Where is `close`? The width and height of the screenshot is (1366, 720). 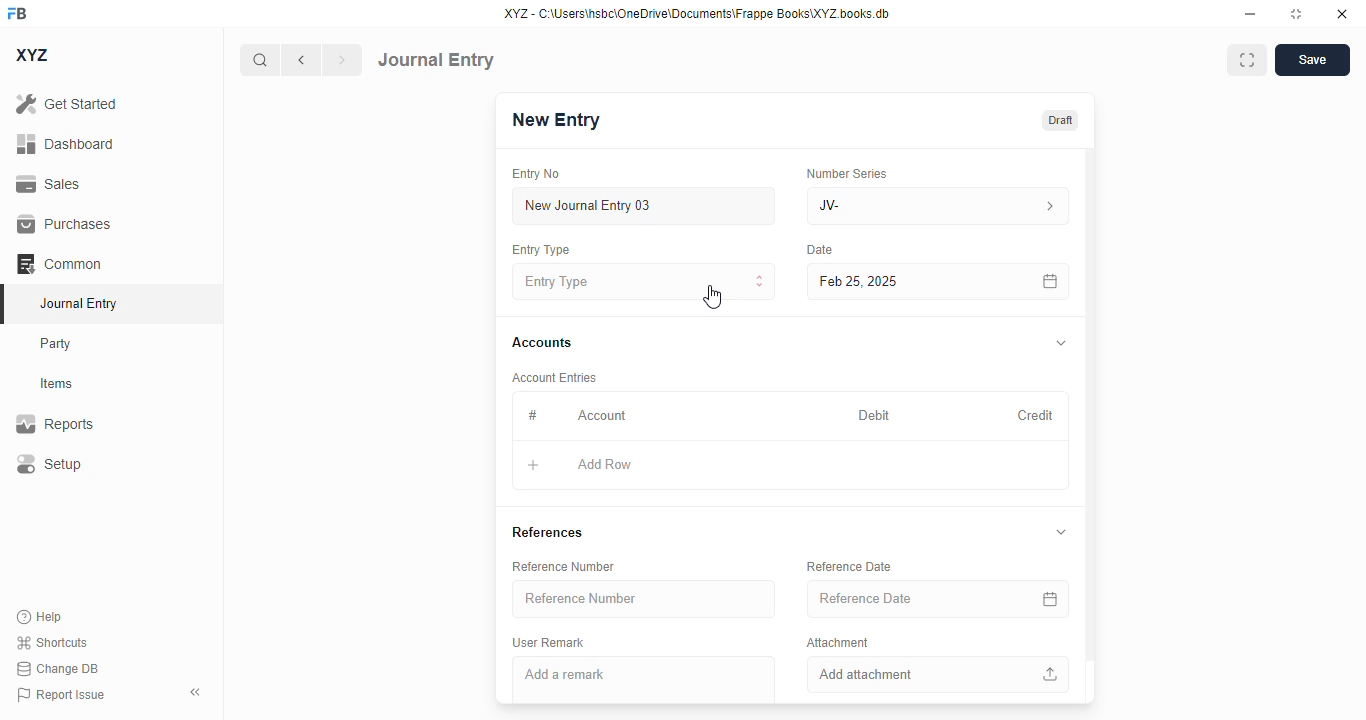 close is located at coordinates (1342, 13).